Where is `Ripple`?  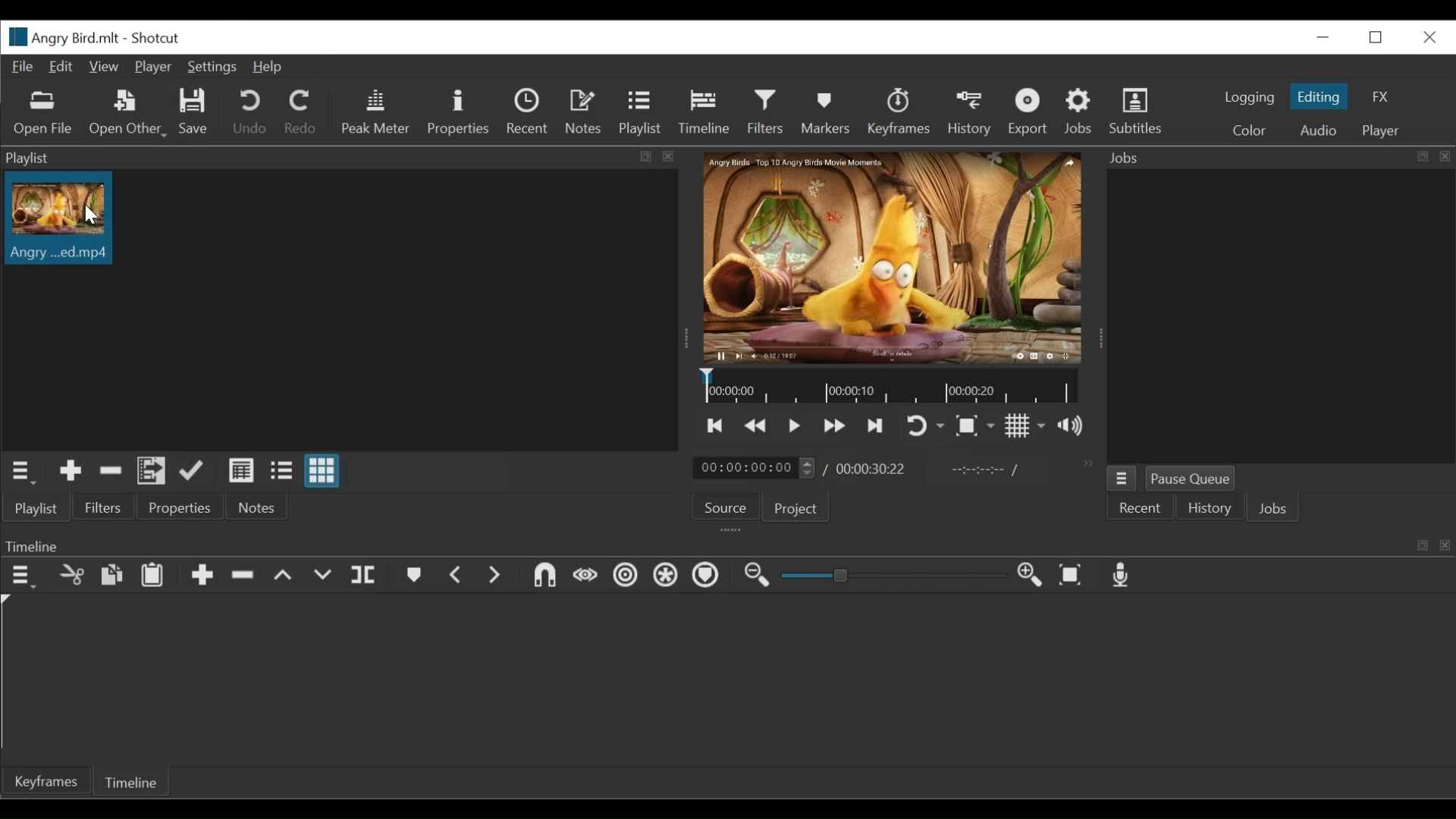
Ripple is located at coordinates (626, 576).